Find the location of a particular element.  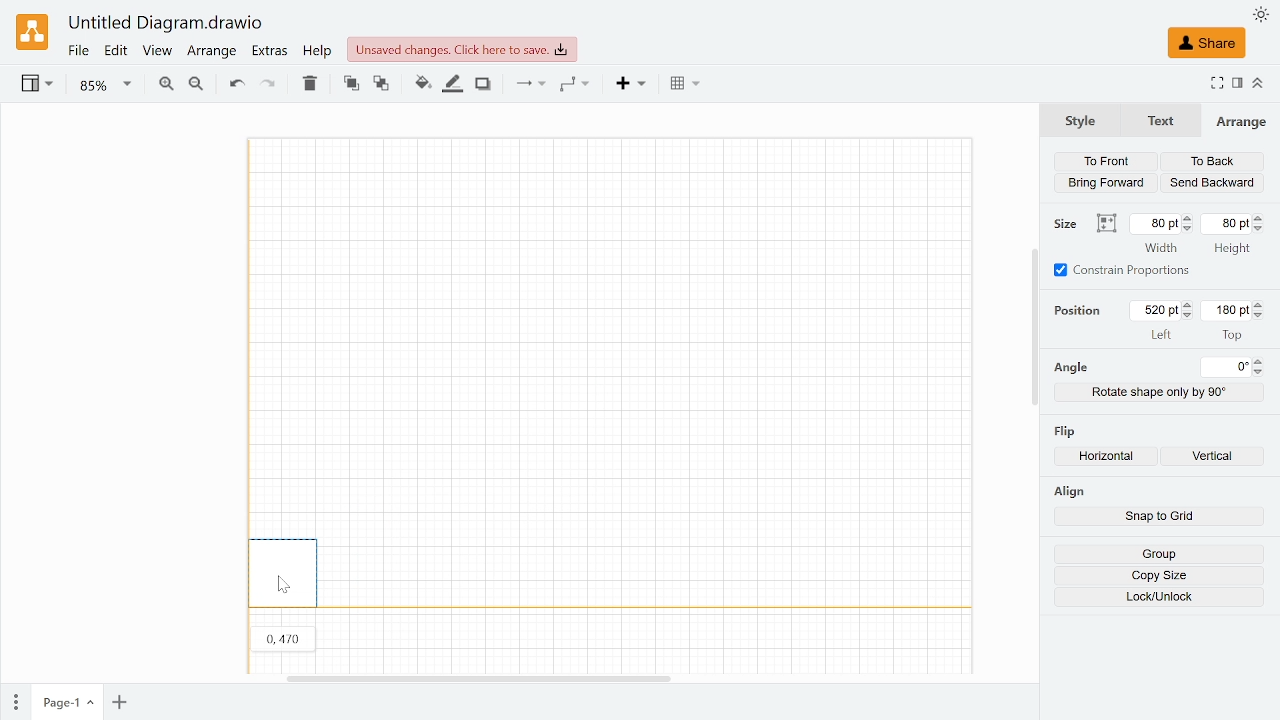

FUllscreen is located at coordinates (1216, 85).